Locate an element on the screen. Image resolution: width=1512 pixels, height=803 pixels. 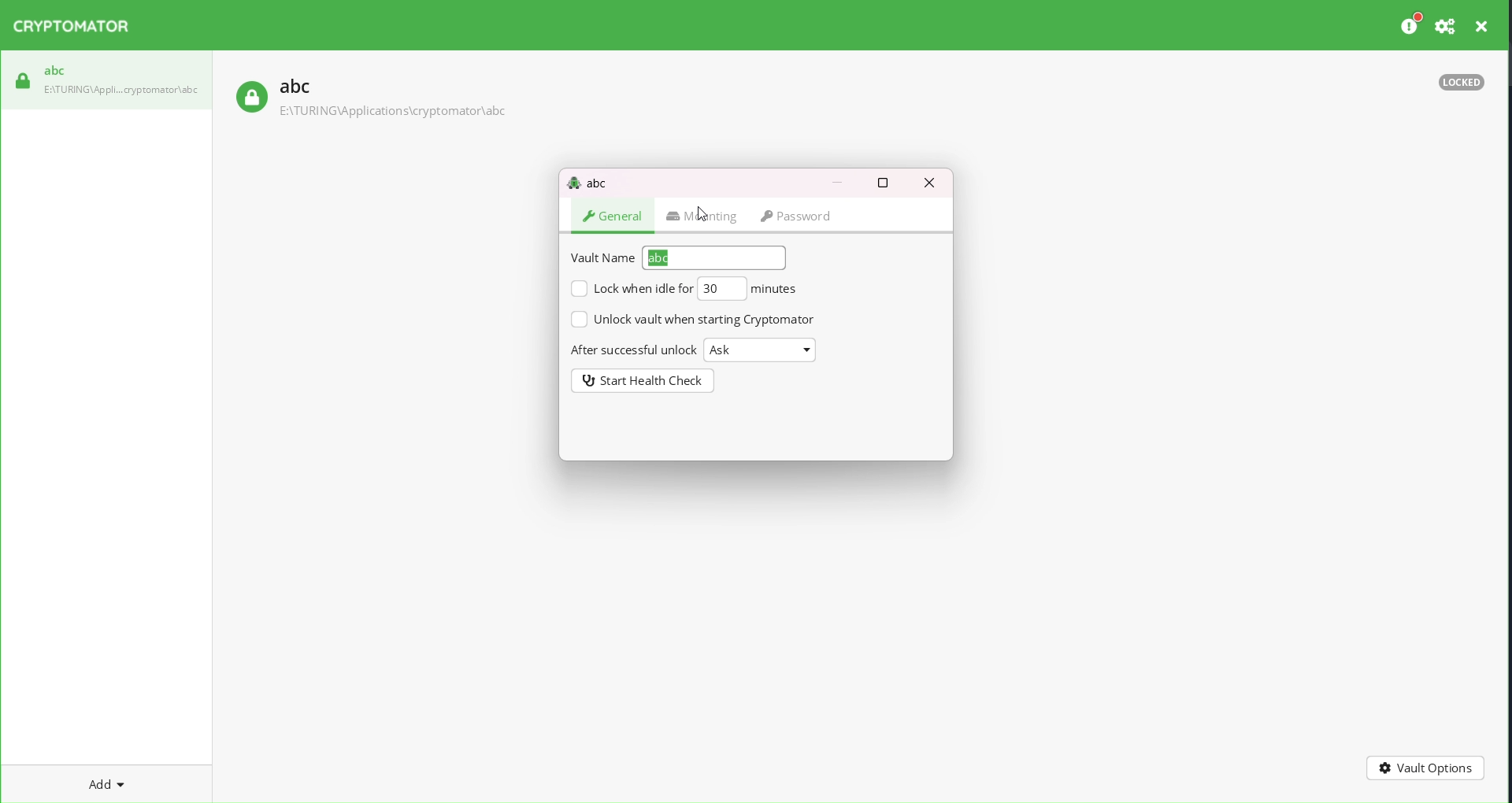
path is located at coordinates (393, 112).